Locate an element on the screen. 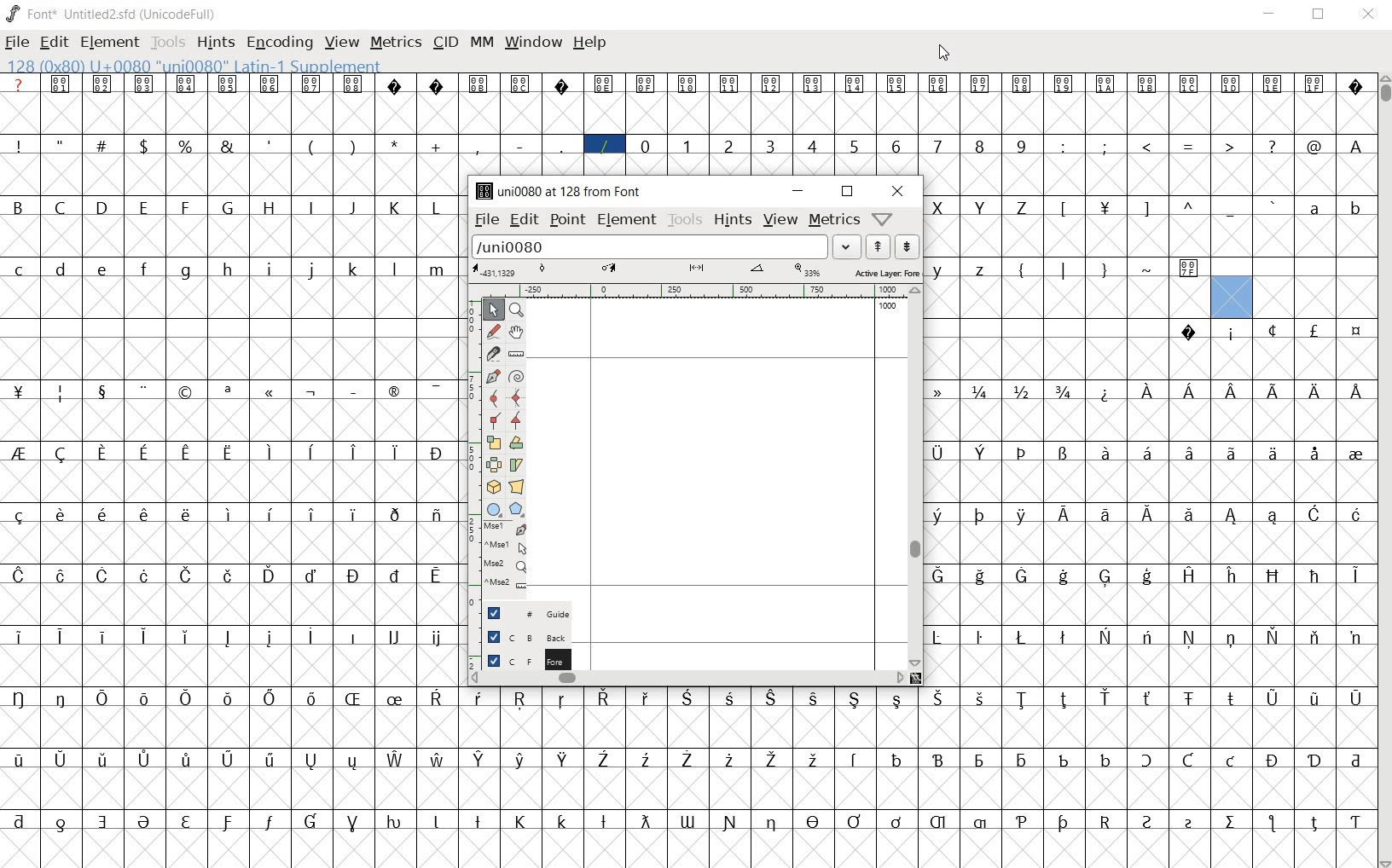 This screenshot has width=1392, height=868. glyph is located at coordinates (1190, 148).